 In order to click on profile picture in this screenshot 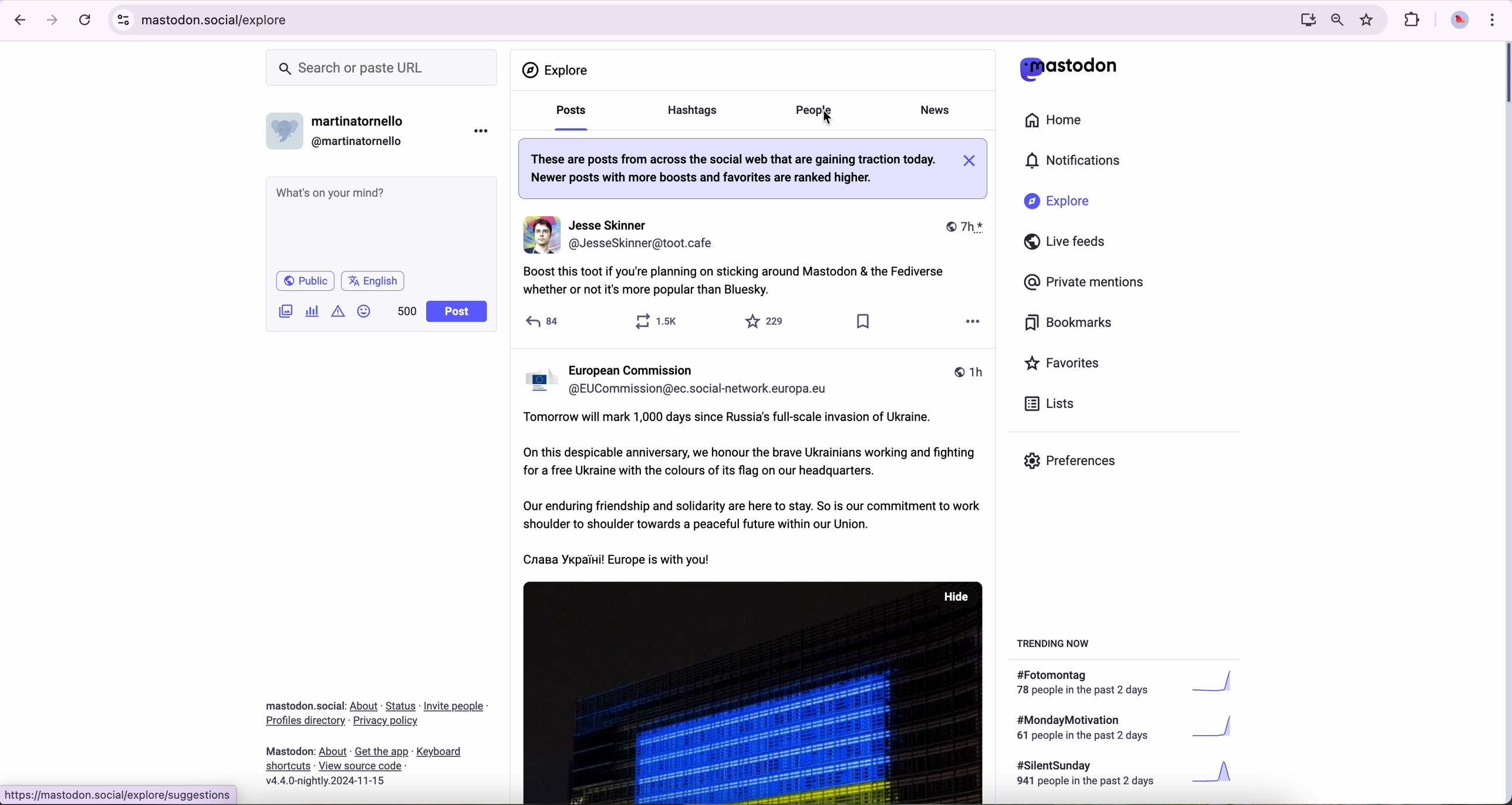, I will do `click(1456, 21)`.